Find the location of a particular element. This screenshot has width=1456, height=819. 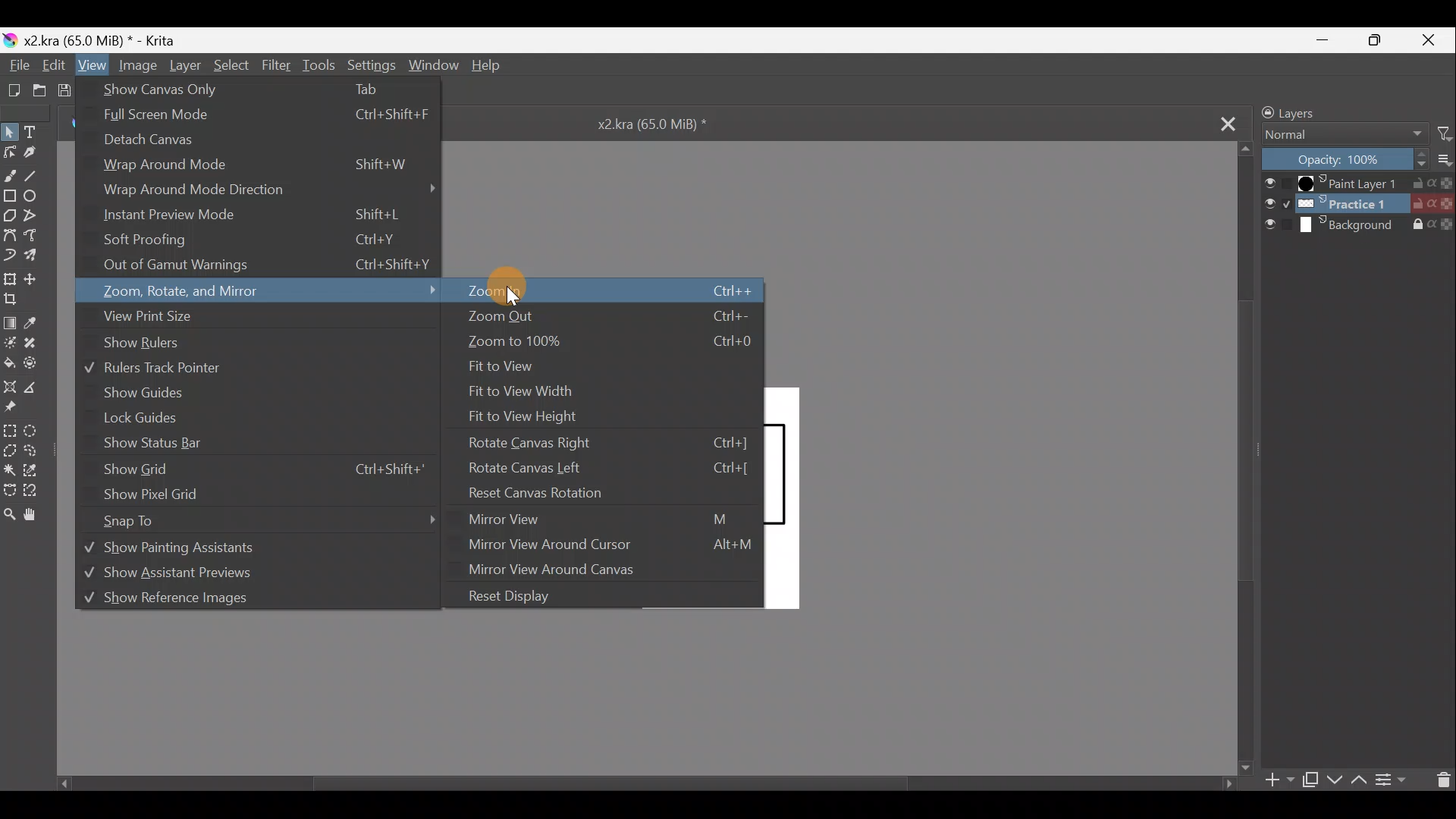

Mirror view  M is located at coordinates (597, 522).